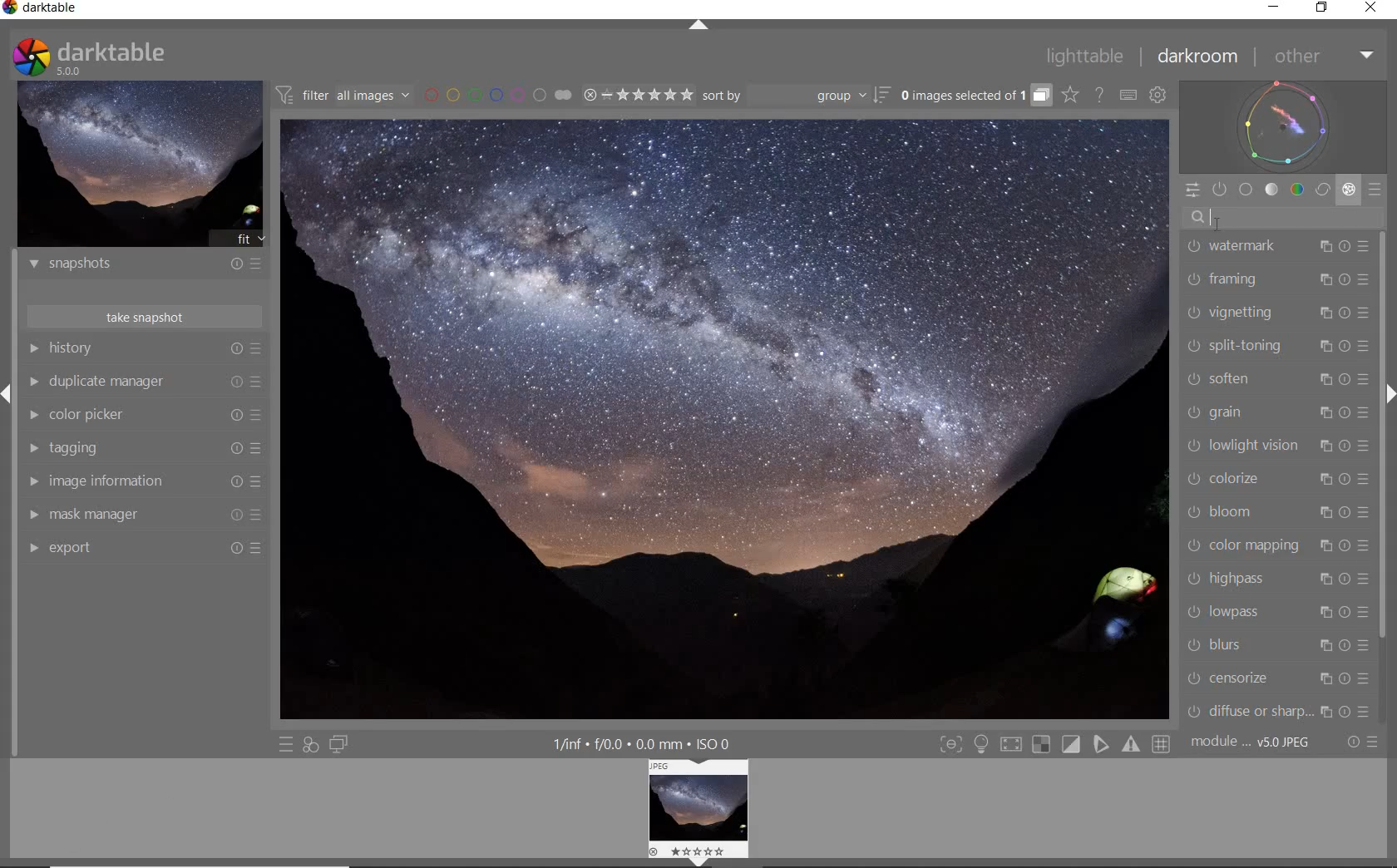 This screenshot has height=868, width=1397. Describe the element at coordinates (1221, 381) in the screenshot. I see `SOFTEN` at that location.